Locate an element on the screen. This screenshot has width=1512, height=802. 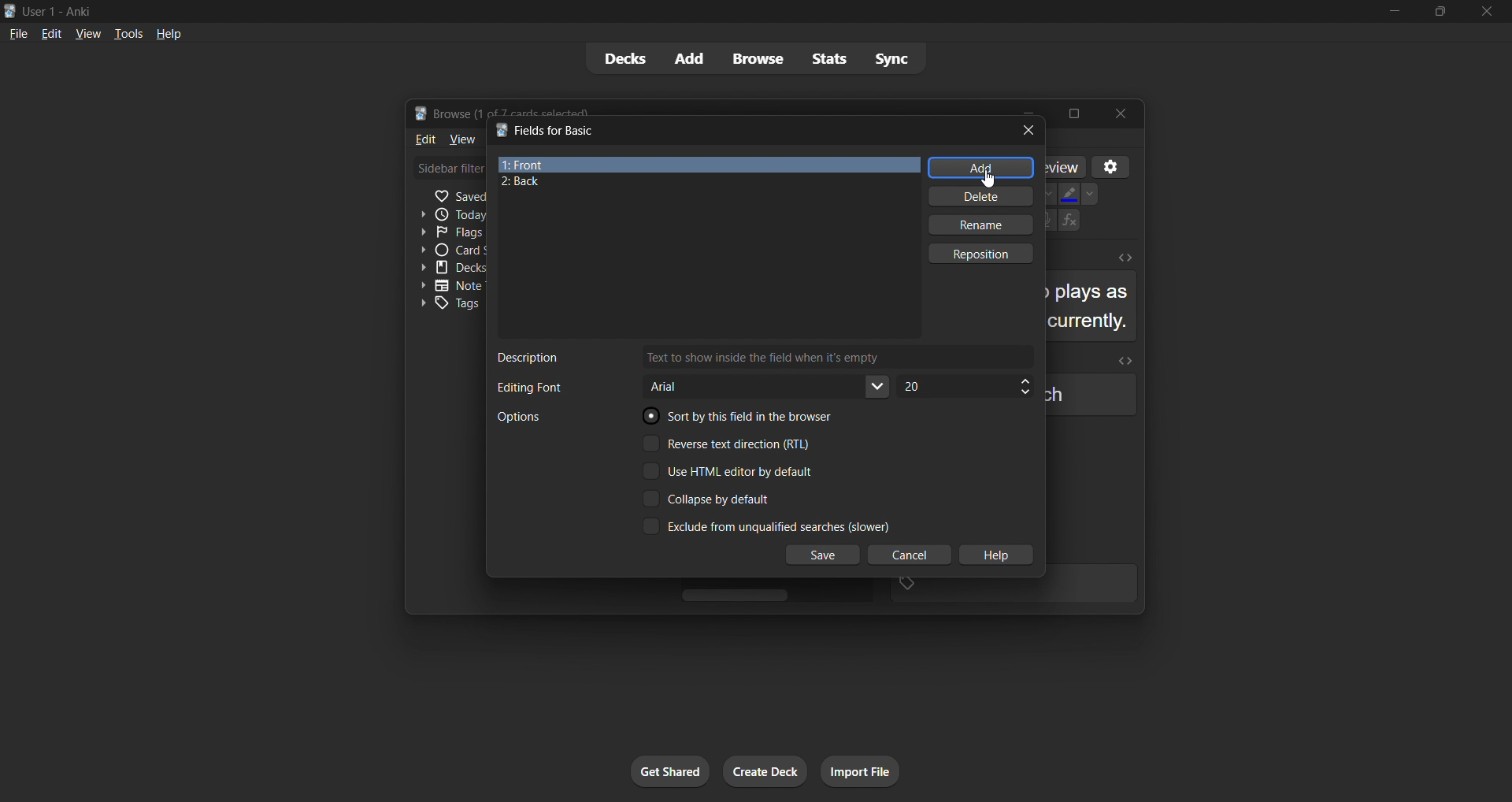
Sidebar filter is located at coordinates (447, 171).